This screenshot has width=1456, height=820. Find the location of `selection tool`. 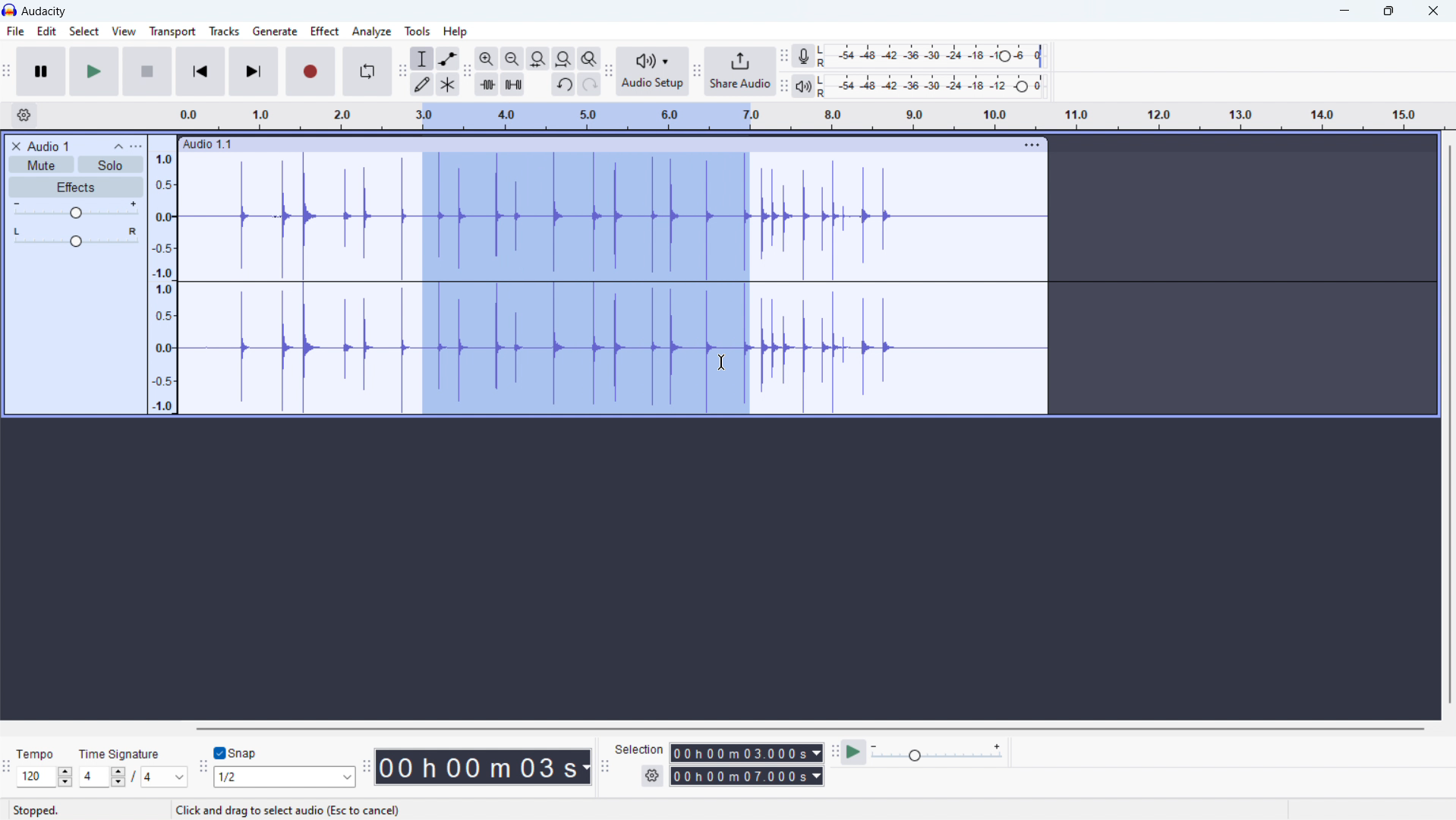

selection tool is located at coordinates (422, 58).